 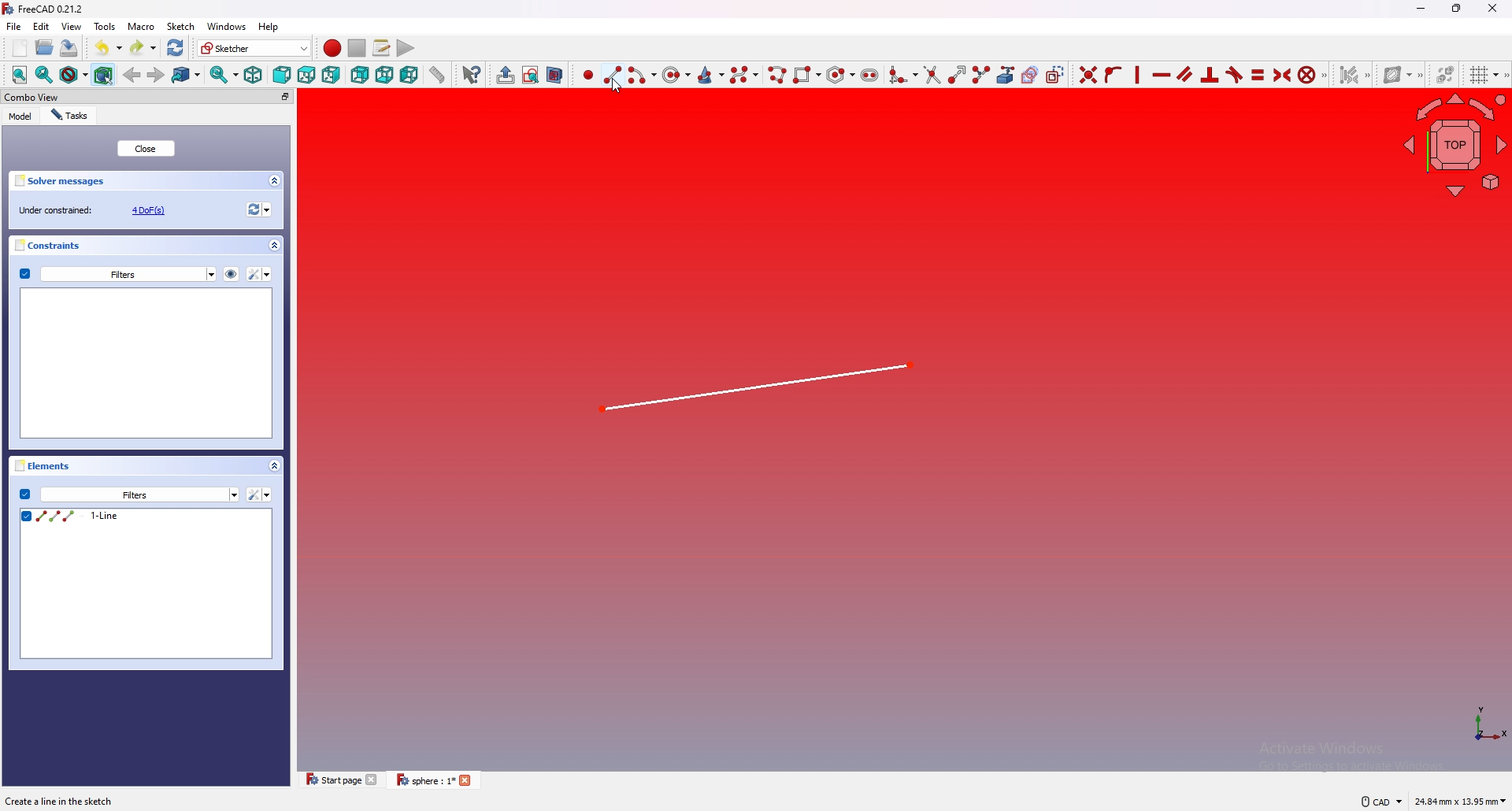 What do you see at coordinates (502, 74) in the screenshot?
I see `Leave sketch` at bounding box center [502, 74].